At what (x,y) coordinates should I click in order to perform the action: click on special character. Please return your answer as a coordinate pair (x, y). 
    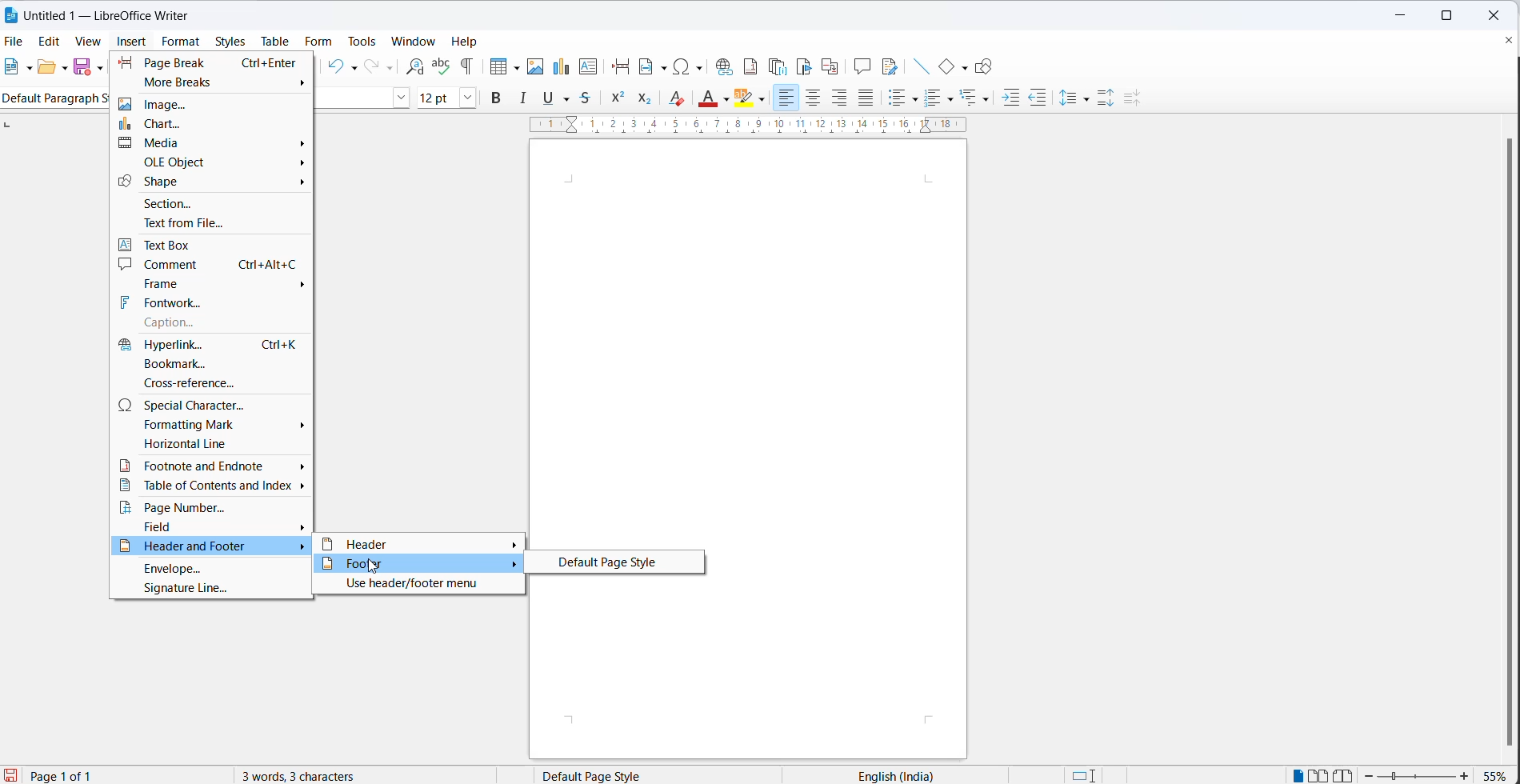
    Looking at the image, I should click on (211, 404).